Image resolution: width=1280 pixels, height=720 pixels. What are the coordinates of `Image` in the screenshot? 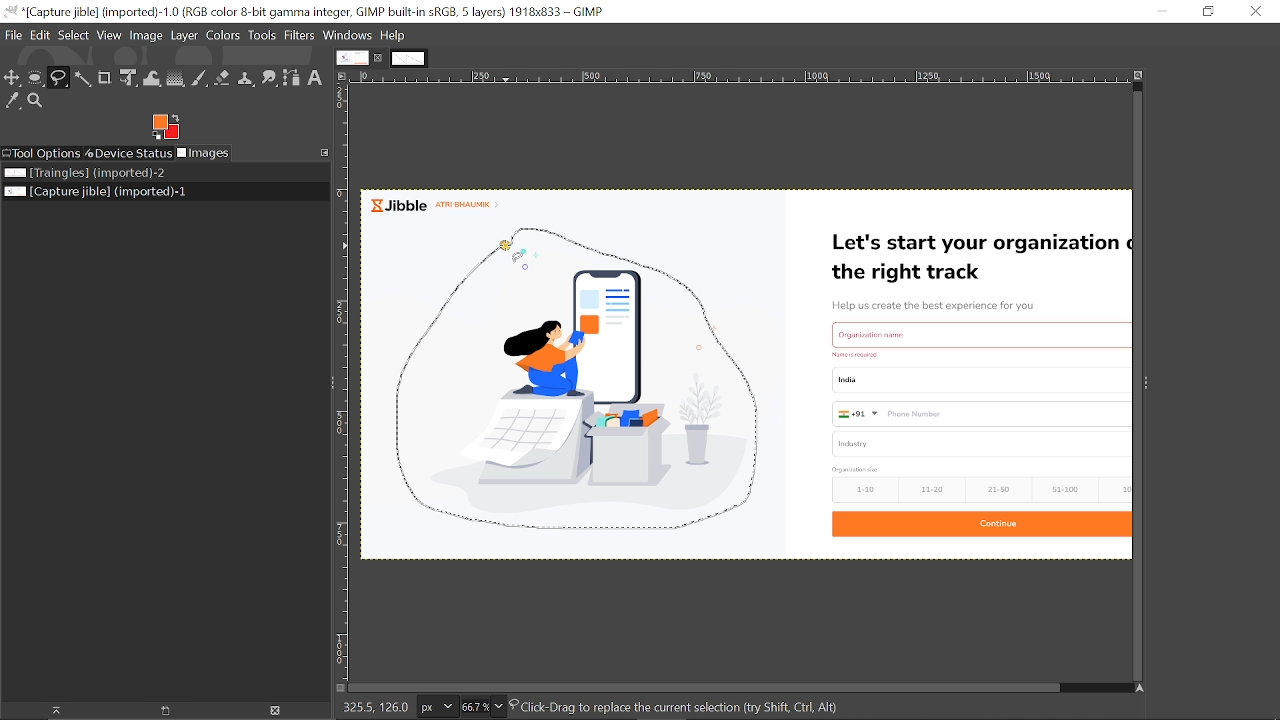 It's located at (145, 37).